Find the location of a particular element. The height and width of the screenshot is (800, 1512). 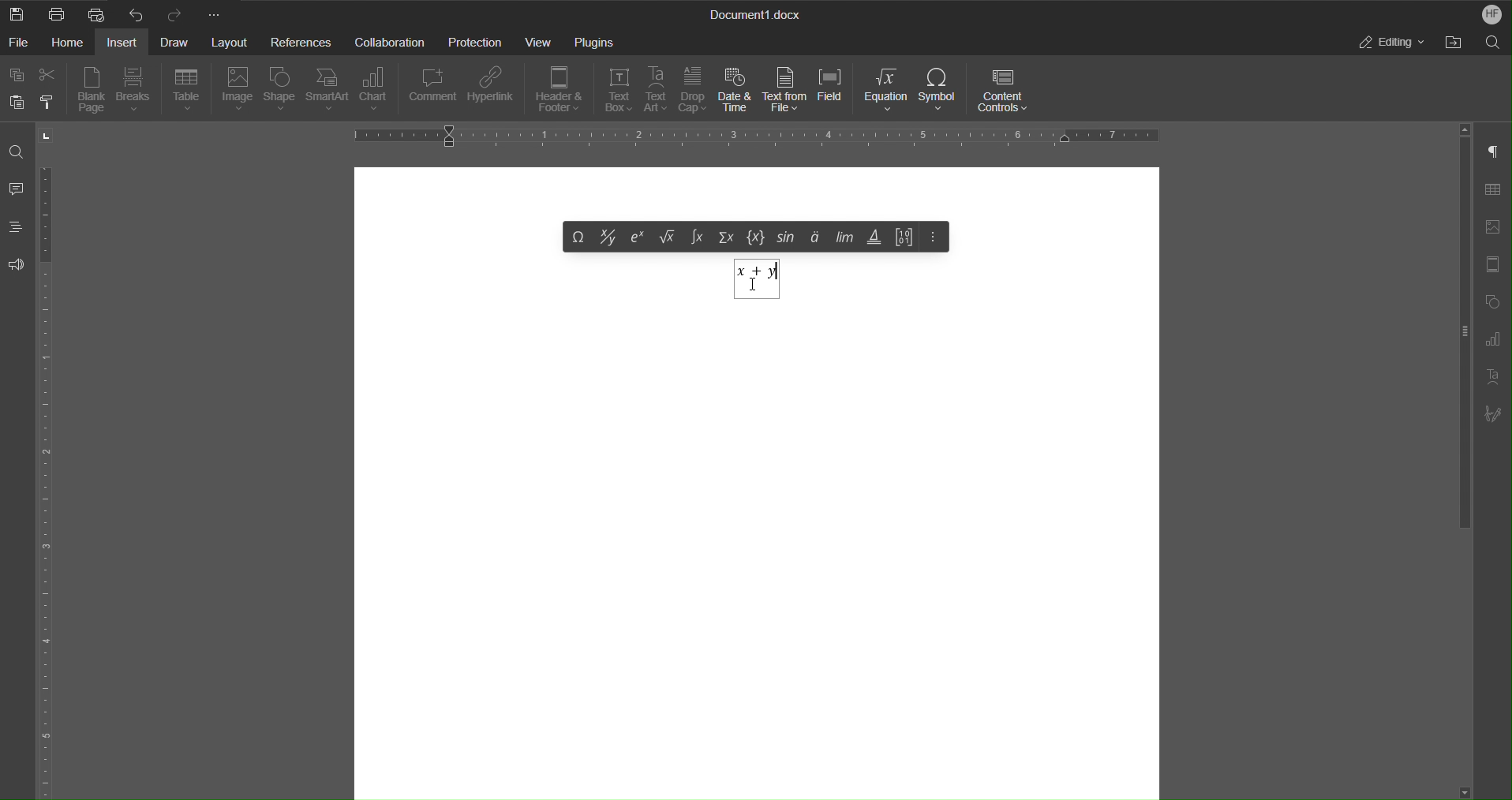

Print is located at coordinates (59, 15).